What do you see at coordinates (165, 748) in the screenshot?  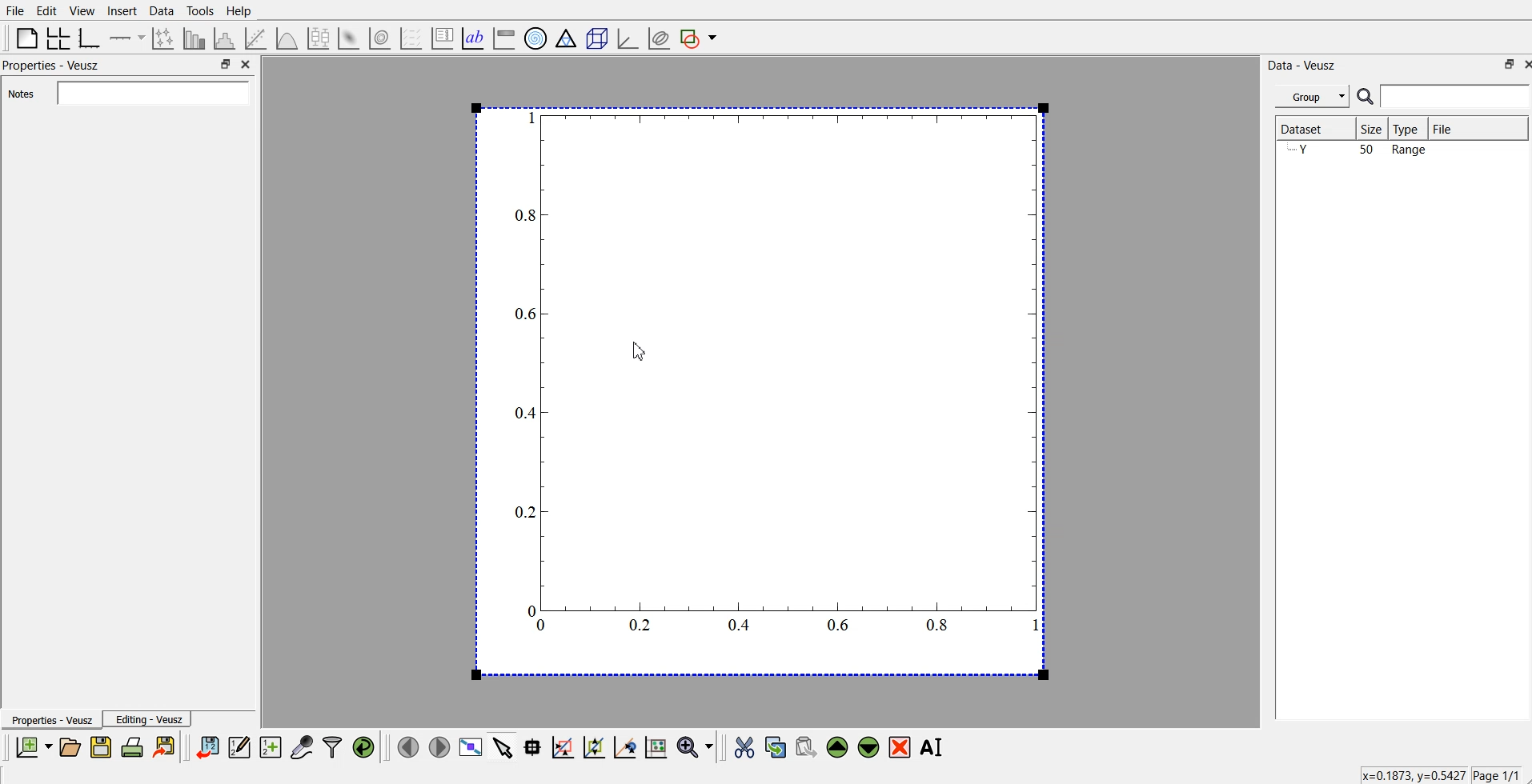 I see `export document` at bounding box center [165, 748].